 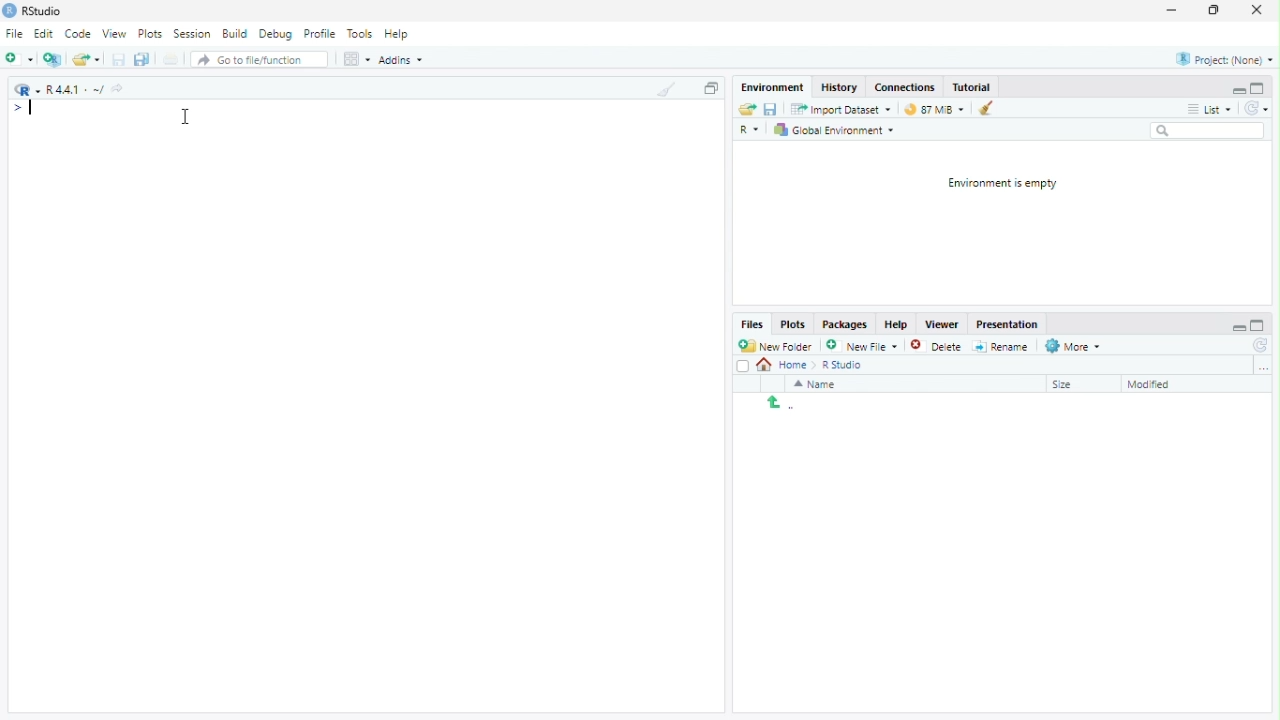 I want to click on R, so click(x=25, y=88).